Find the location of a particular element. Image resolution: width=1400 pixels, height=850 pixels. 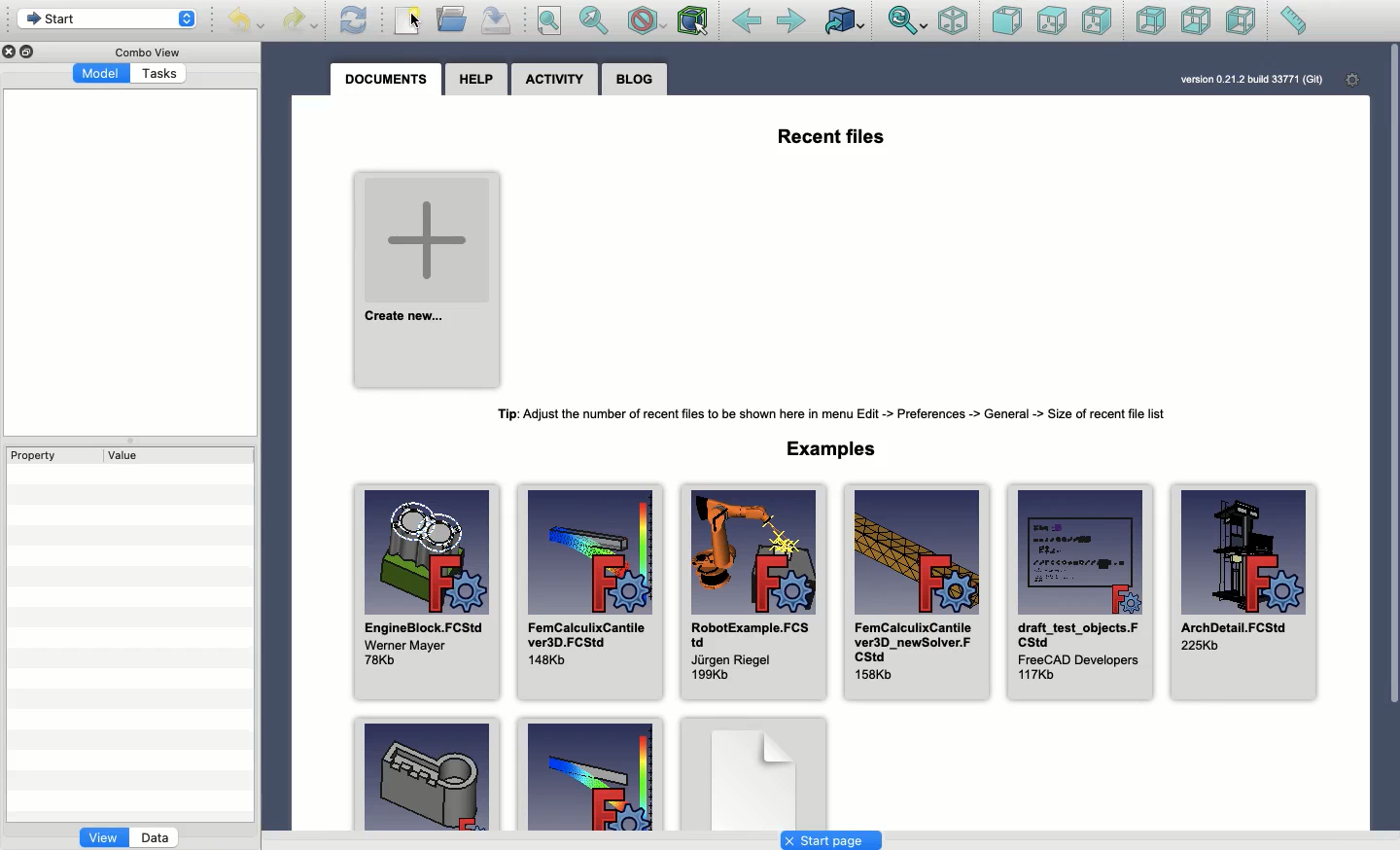

Isometric is located at coordinates (953, 20).